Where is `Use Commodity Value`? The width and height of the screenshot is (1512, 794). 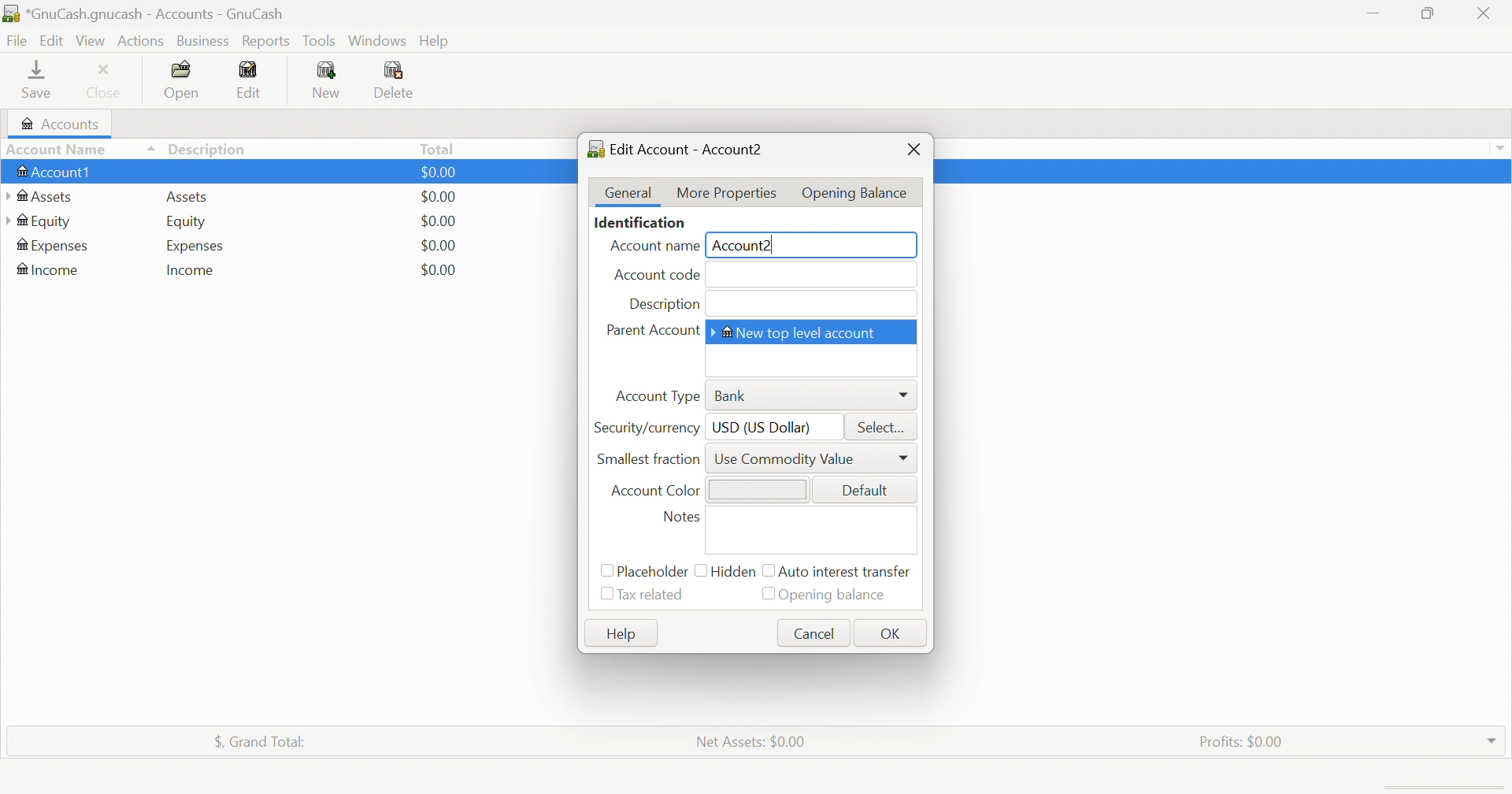 Use Commodity Value is located at coordinates (786, 459).